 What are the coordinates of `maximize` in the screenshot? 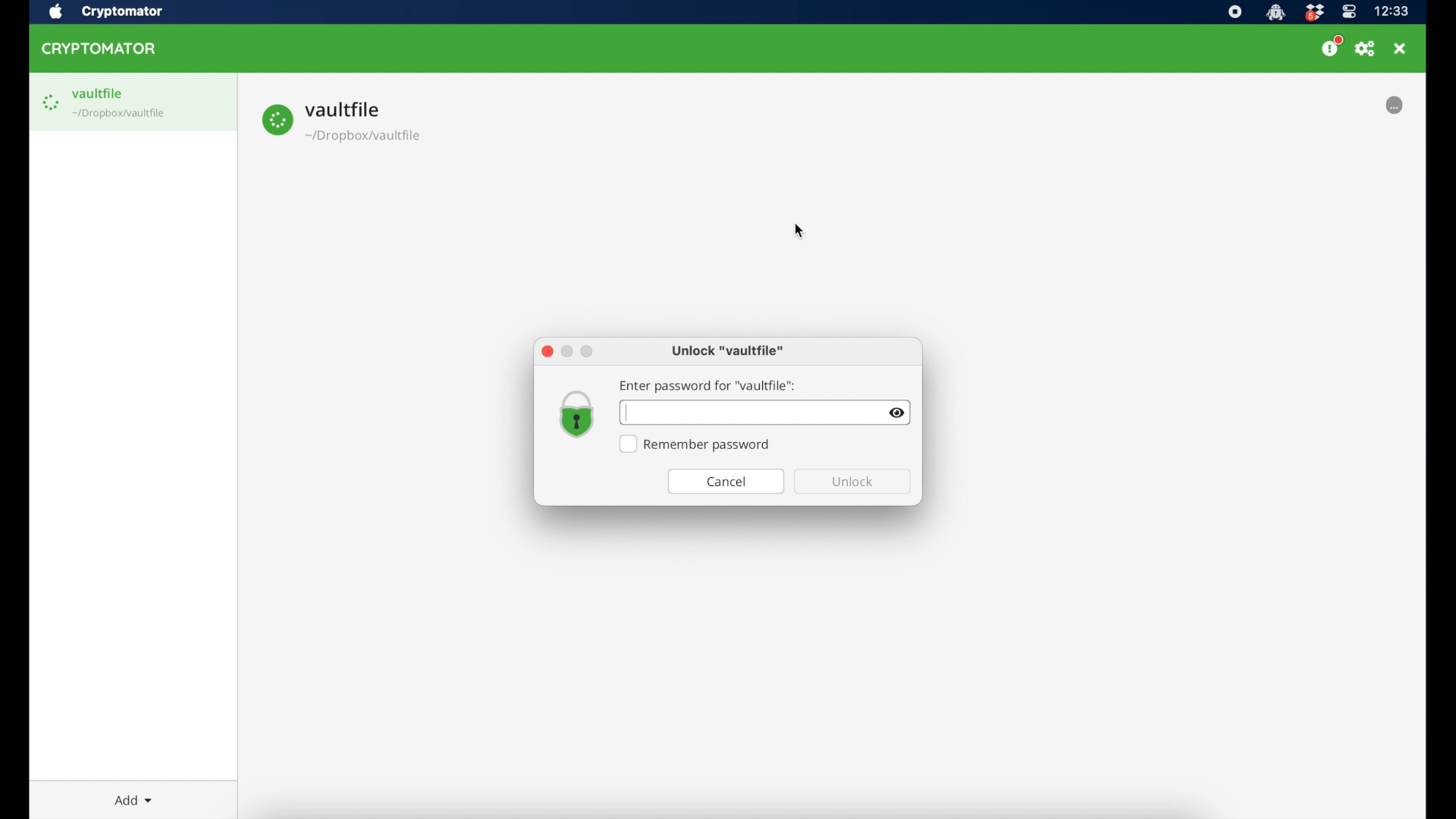 It's located at (588, 351).